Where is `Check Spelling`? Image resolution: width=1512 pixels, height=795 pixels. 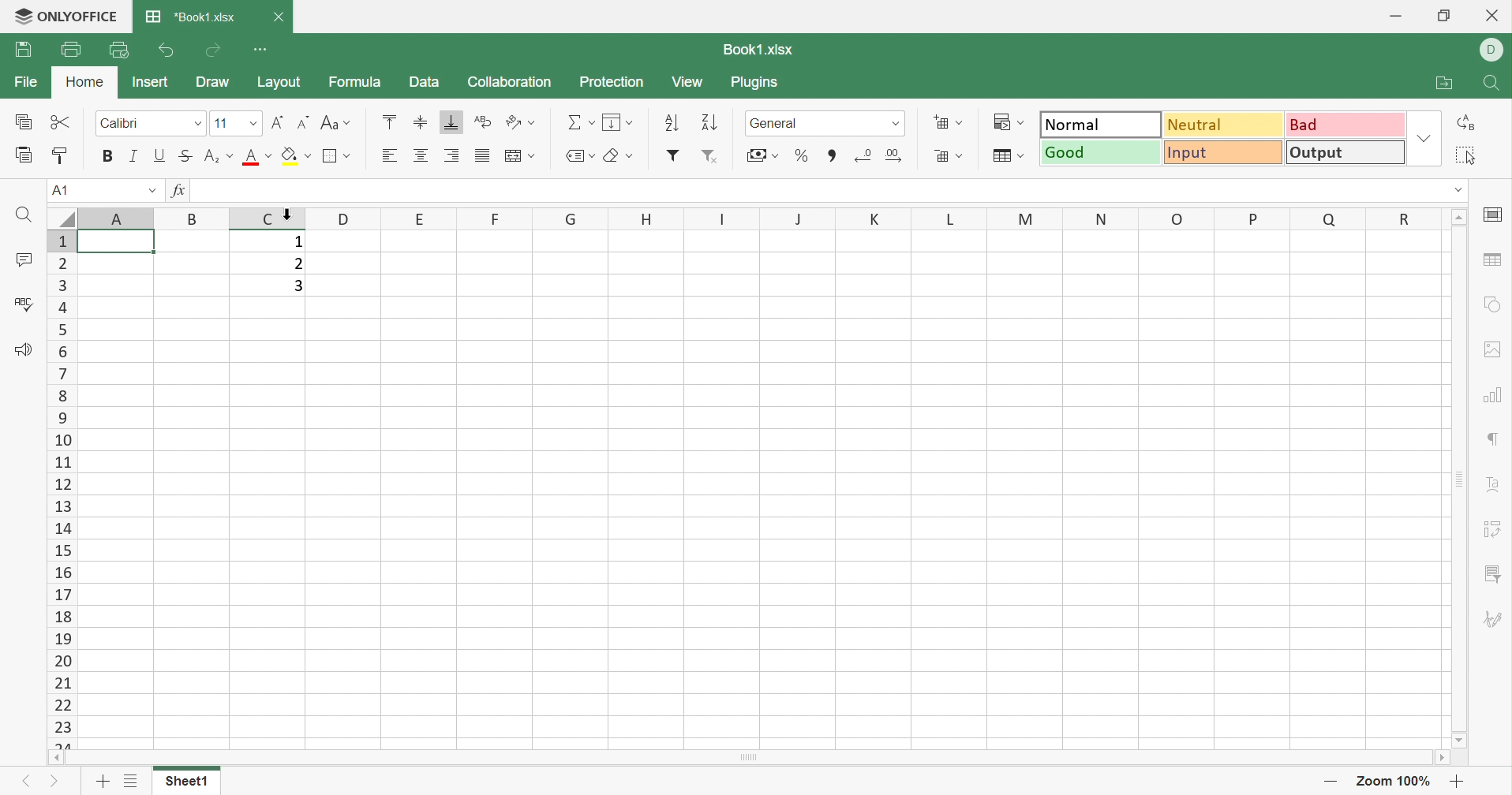 Check Spelling is located at coordinates (19, 301).